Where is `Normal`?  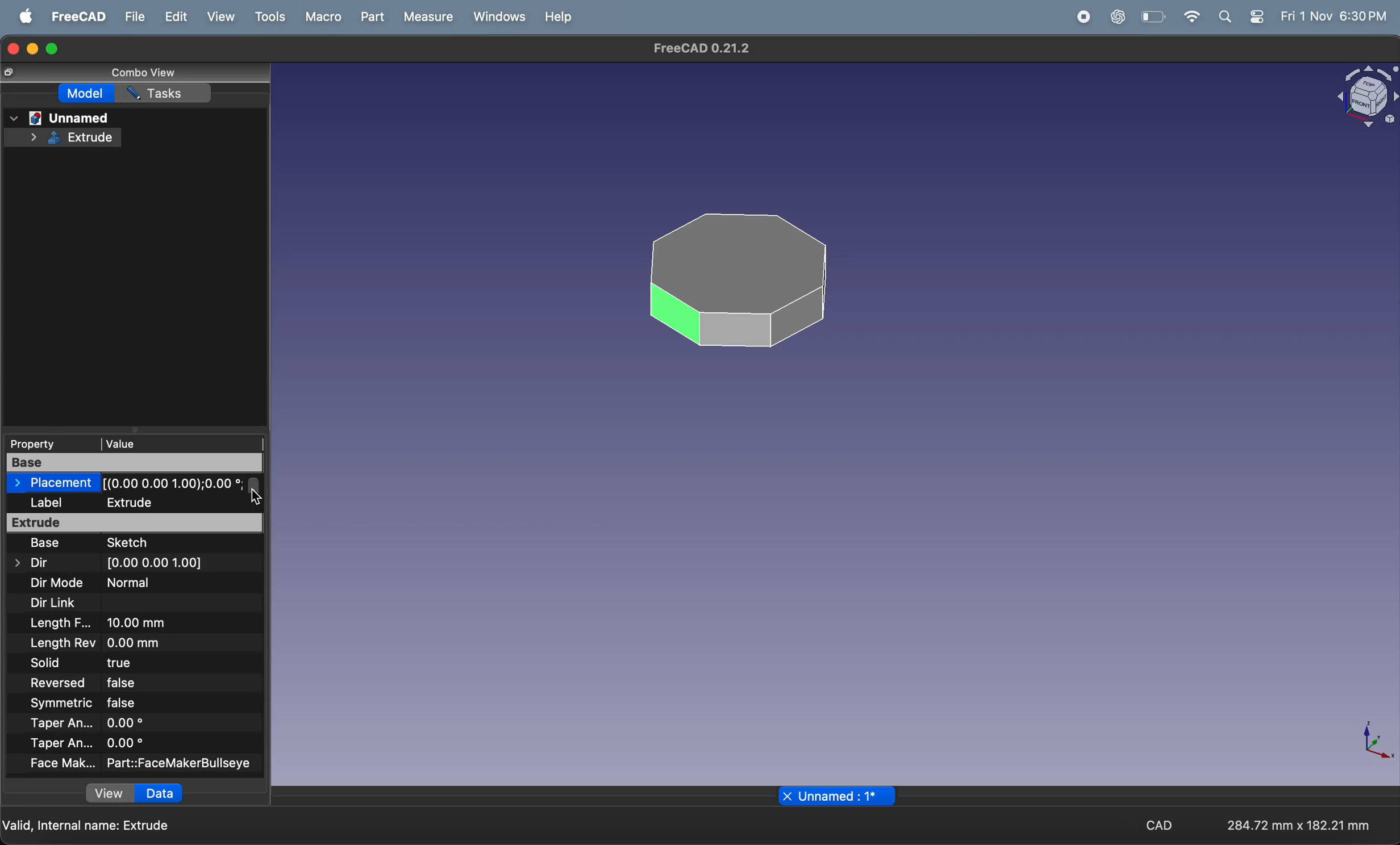
Normal is located at coordinates (130, 583).